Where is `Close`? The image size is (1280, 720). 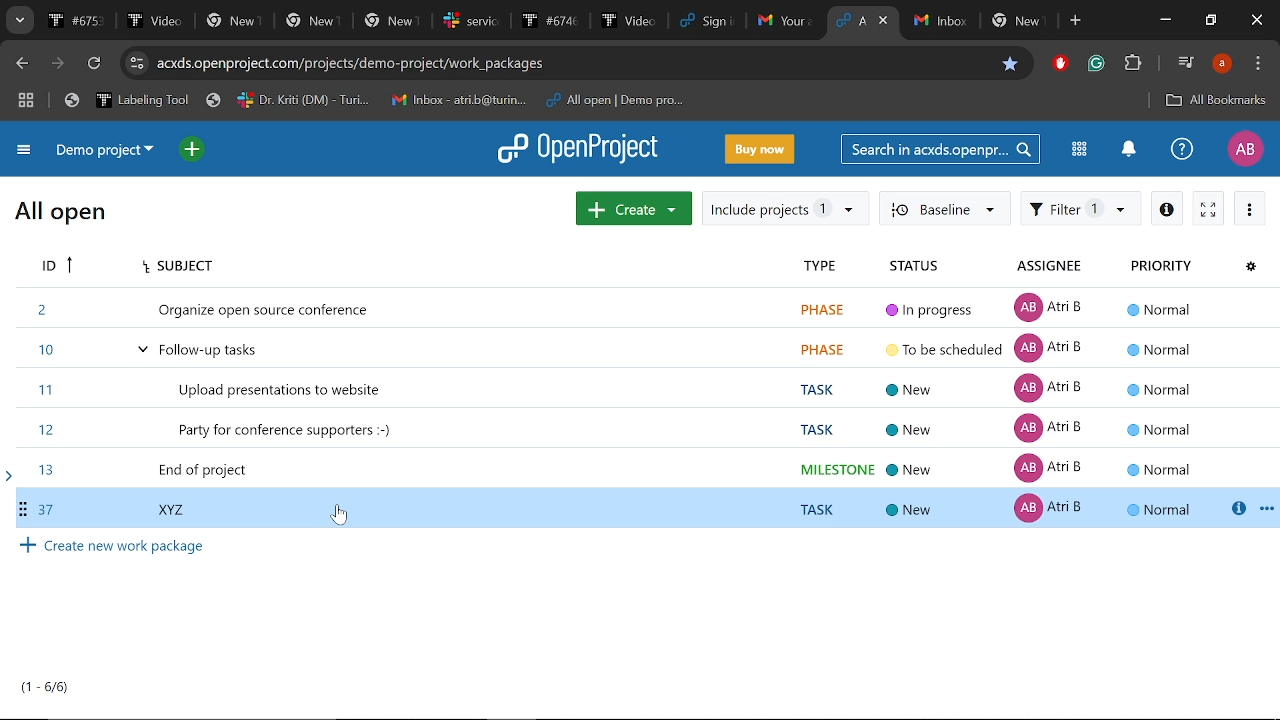 Close is located at coordinates (1258, 21).